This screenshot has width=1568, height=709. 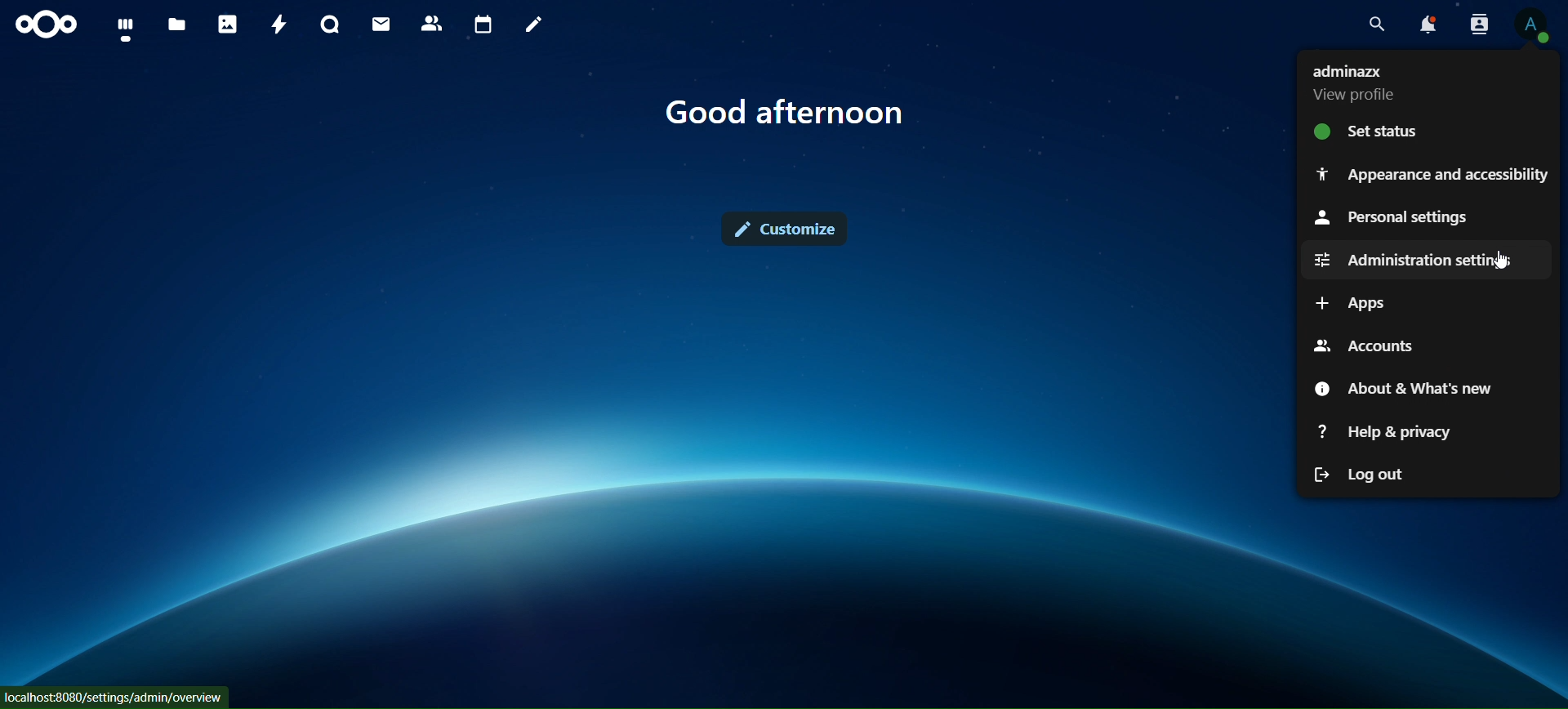 I want to click on dashboard, so click(x=124, y=29).